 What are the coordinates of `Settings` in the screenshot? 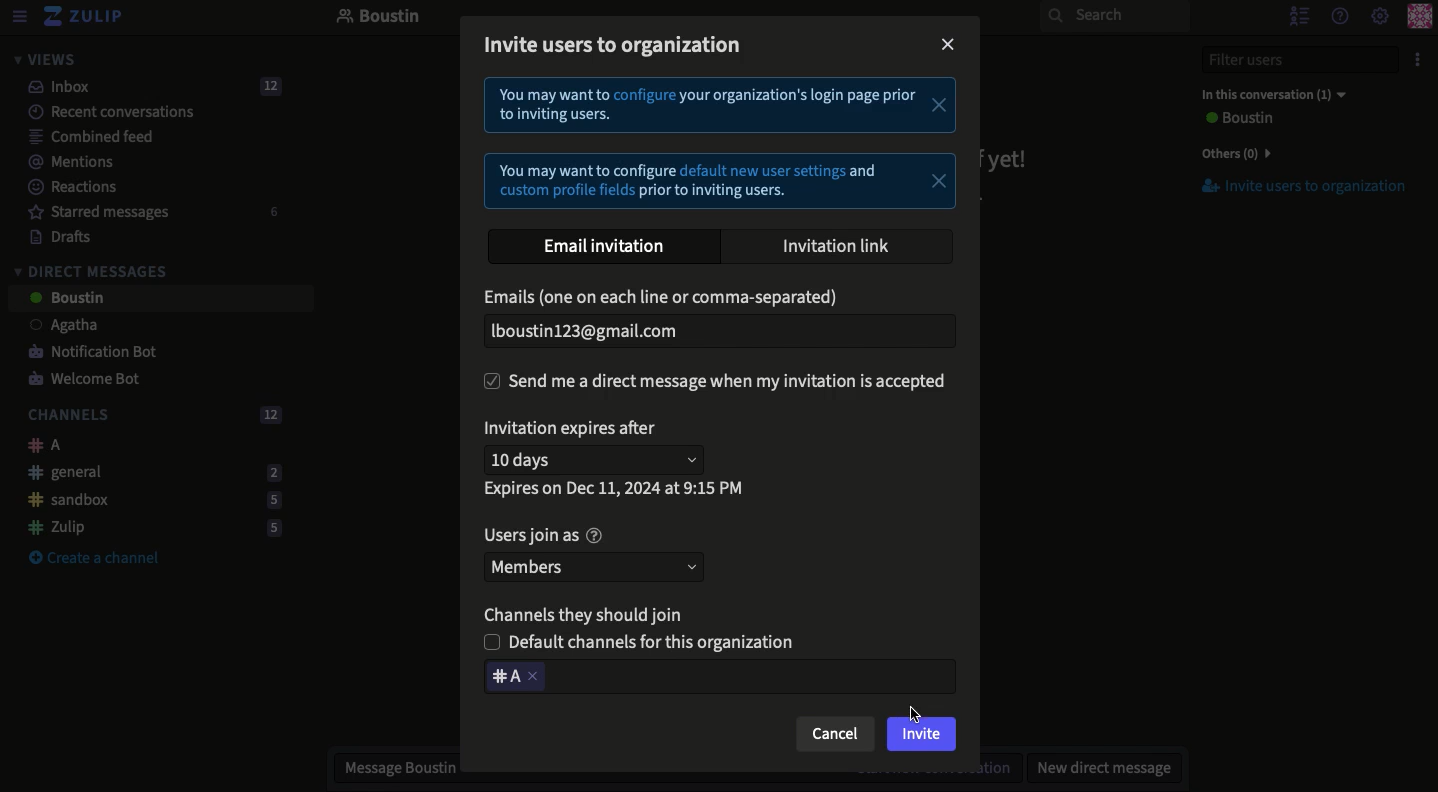 It's located at (1380, 17).